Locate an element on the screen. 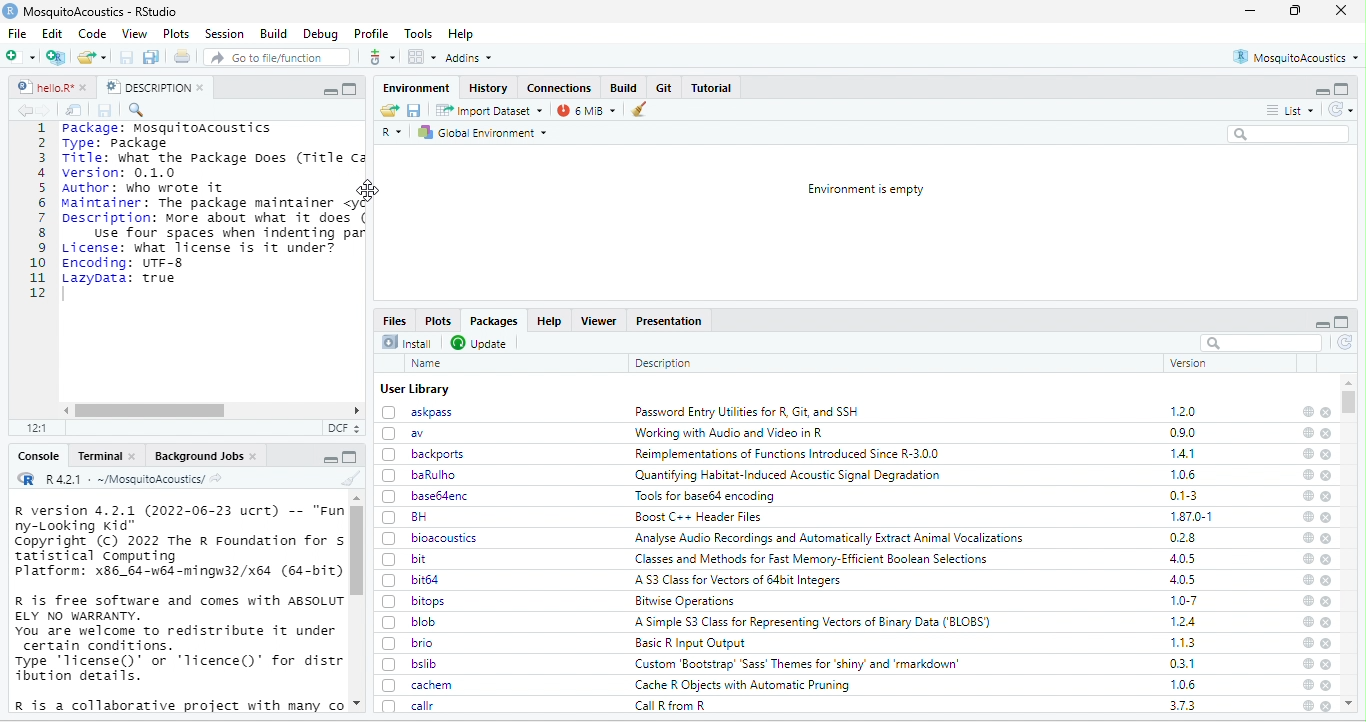 This screenshot has width=1366, height=722. DCF is located at coordinates (344, 429).